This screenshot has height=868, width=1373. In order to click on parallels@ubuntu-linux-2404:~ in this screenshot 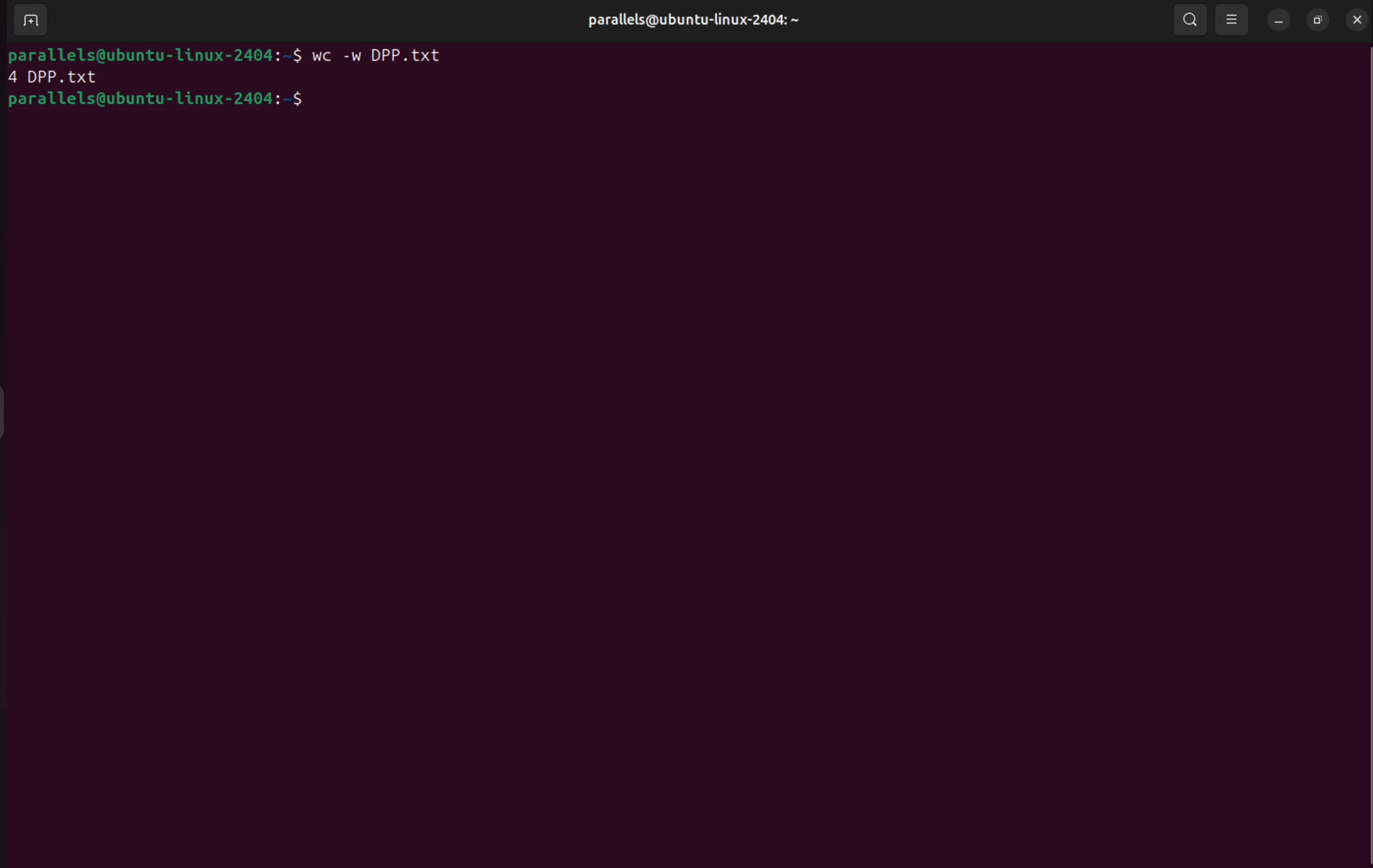, I will do `click(694, 20)`.